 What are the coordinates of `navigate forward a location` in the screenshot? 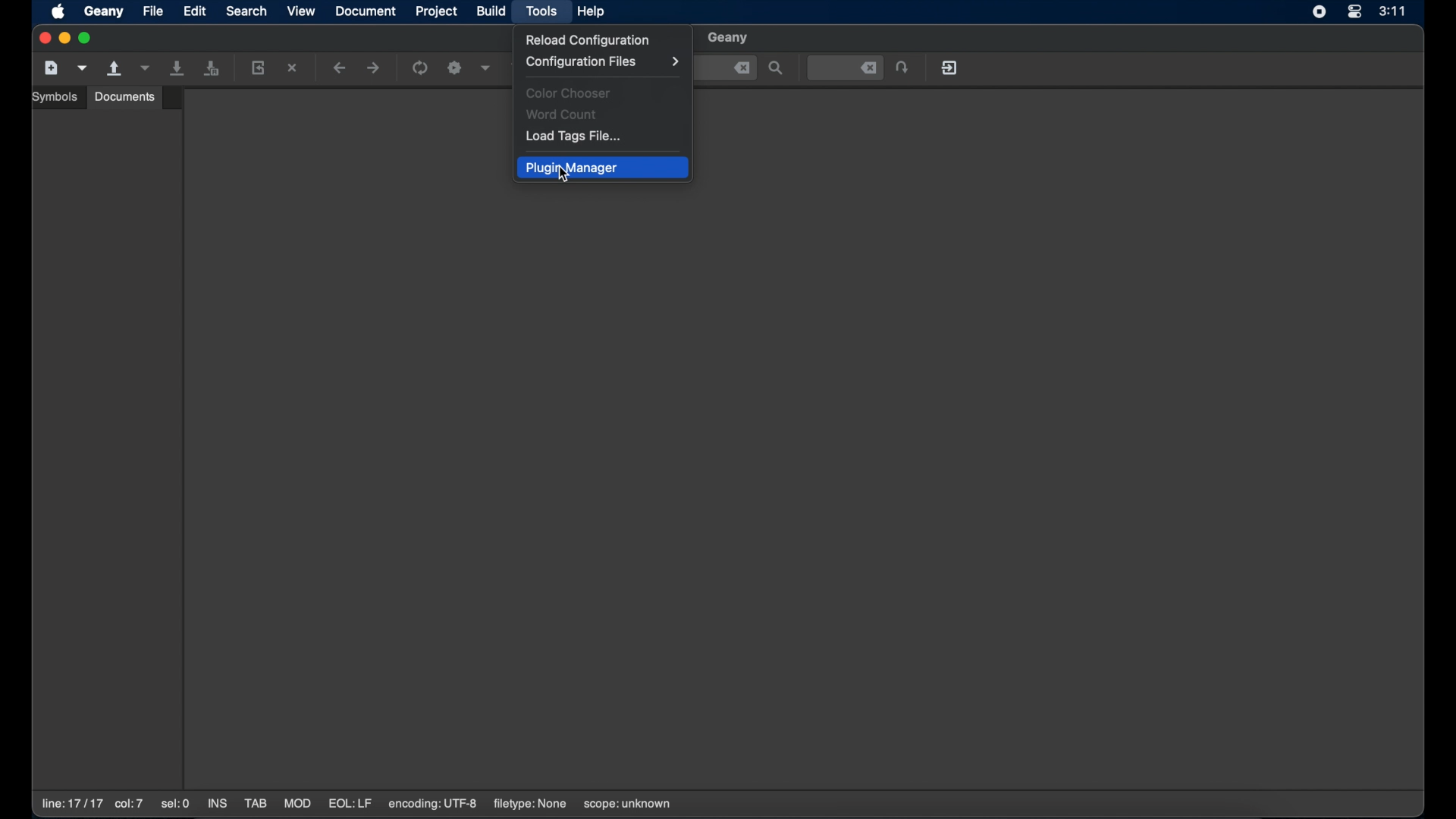 It's located at (374, 68).